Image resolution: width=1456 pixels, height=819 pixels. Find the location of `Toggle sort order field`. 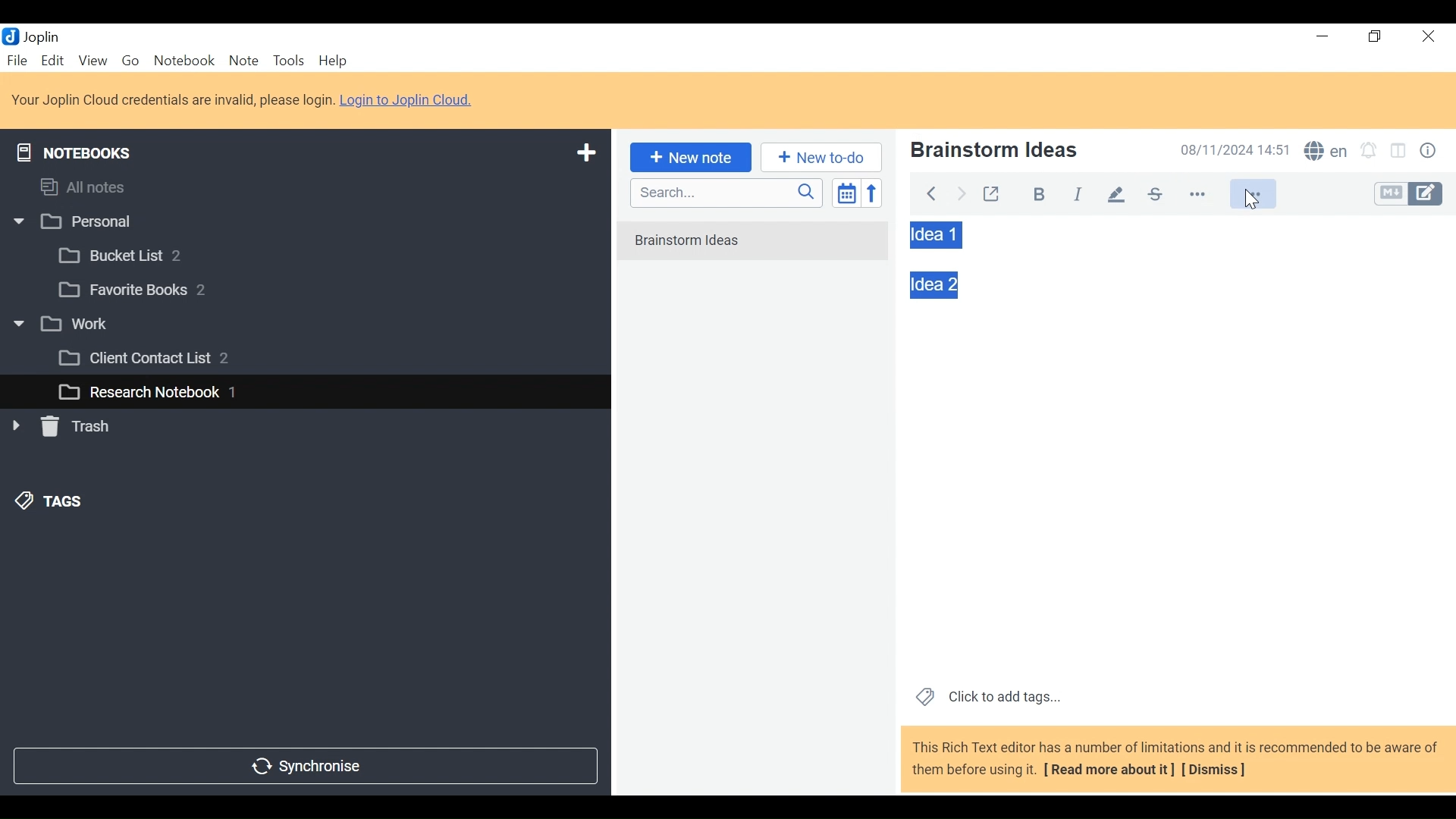

Toggle sort order field is located at coordinates (845, 192).